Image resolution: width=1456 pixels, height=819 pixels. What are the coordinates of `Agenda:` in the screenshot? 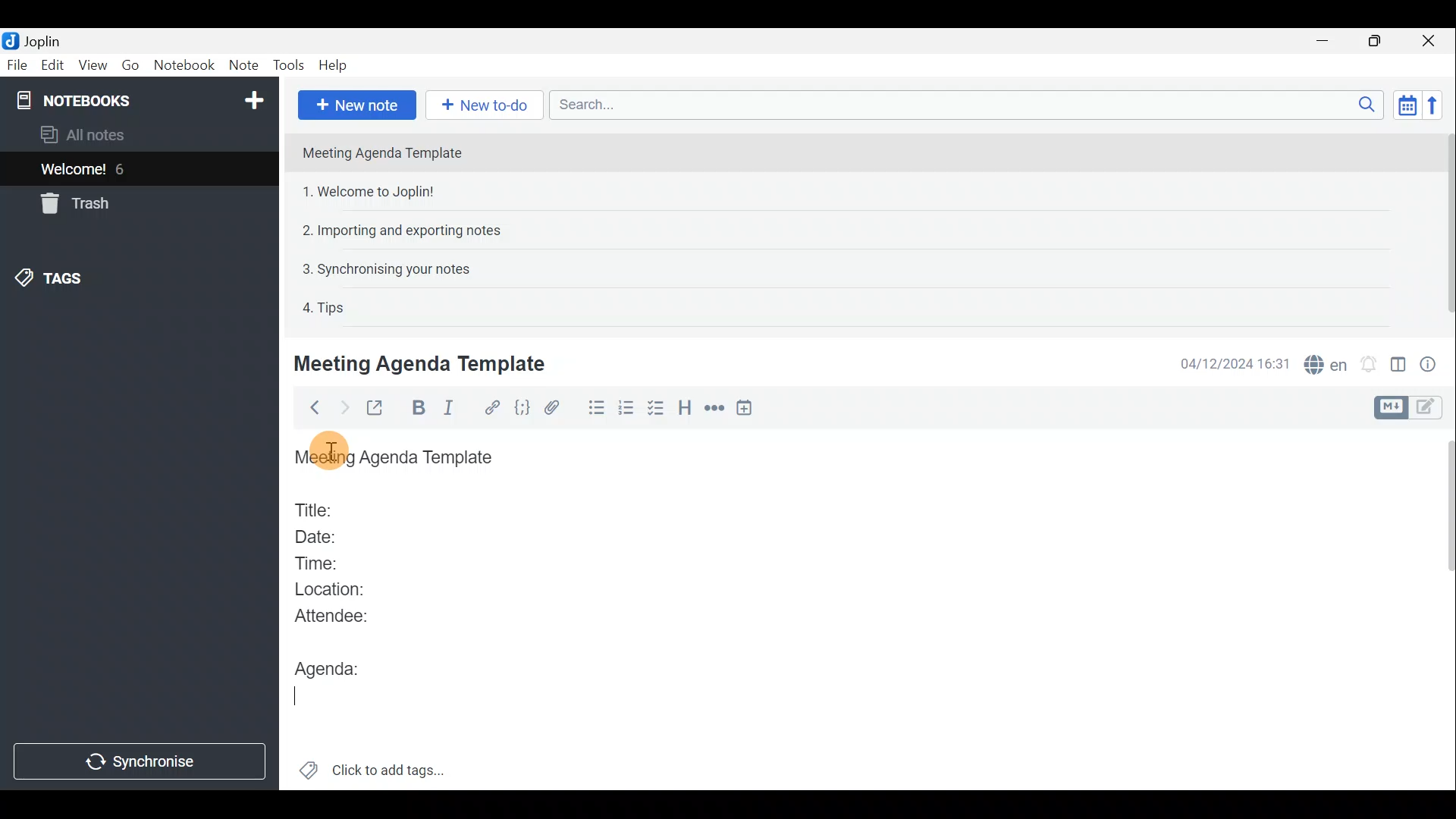 It's located at (330, 665).